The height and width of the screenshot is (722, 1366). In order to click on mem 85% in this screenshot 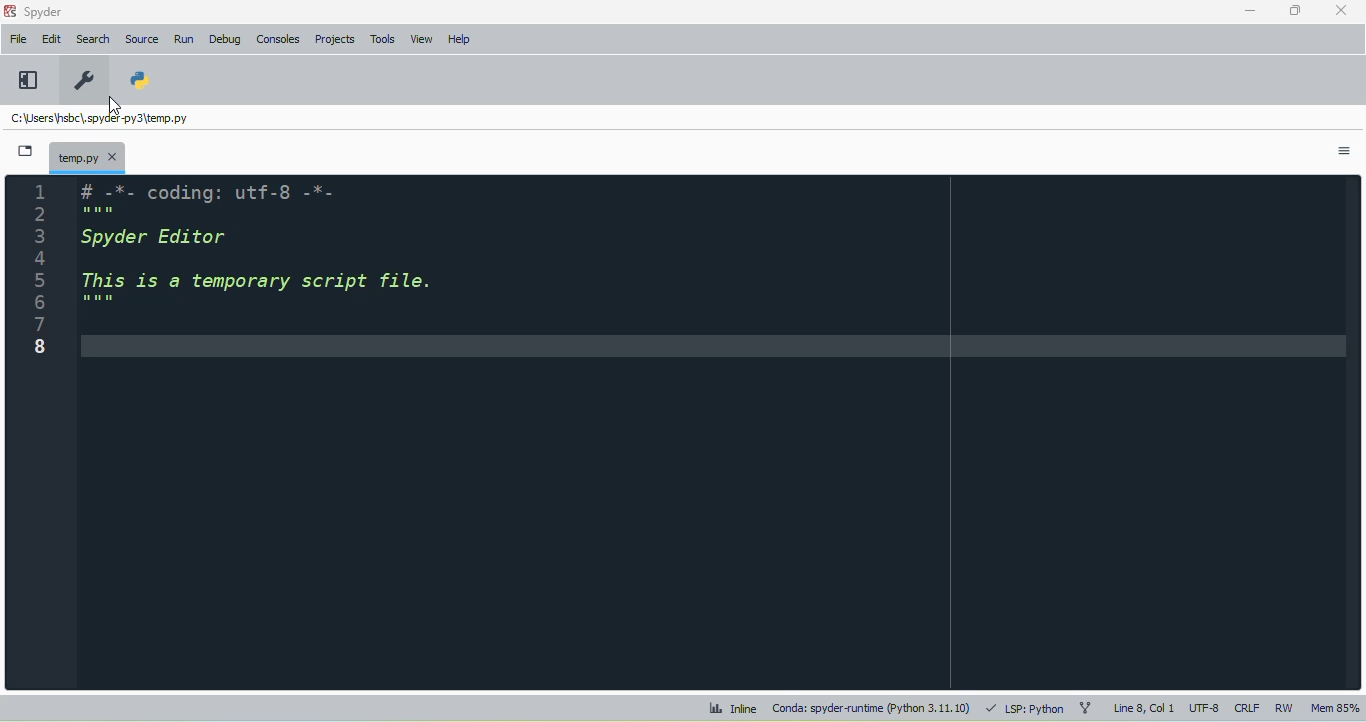, I will do `click(1335, 707)`.